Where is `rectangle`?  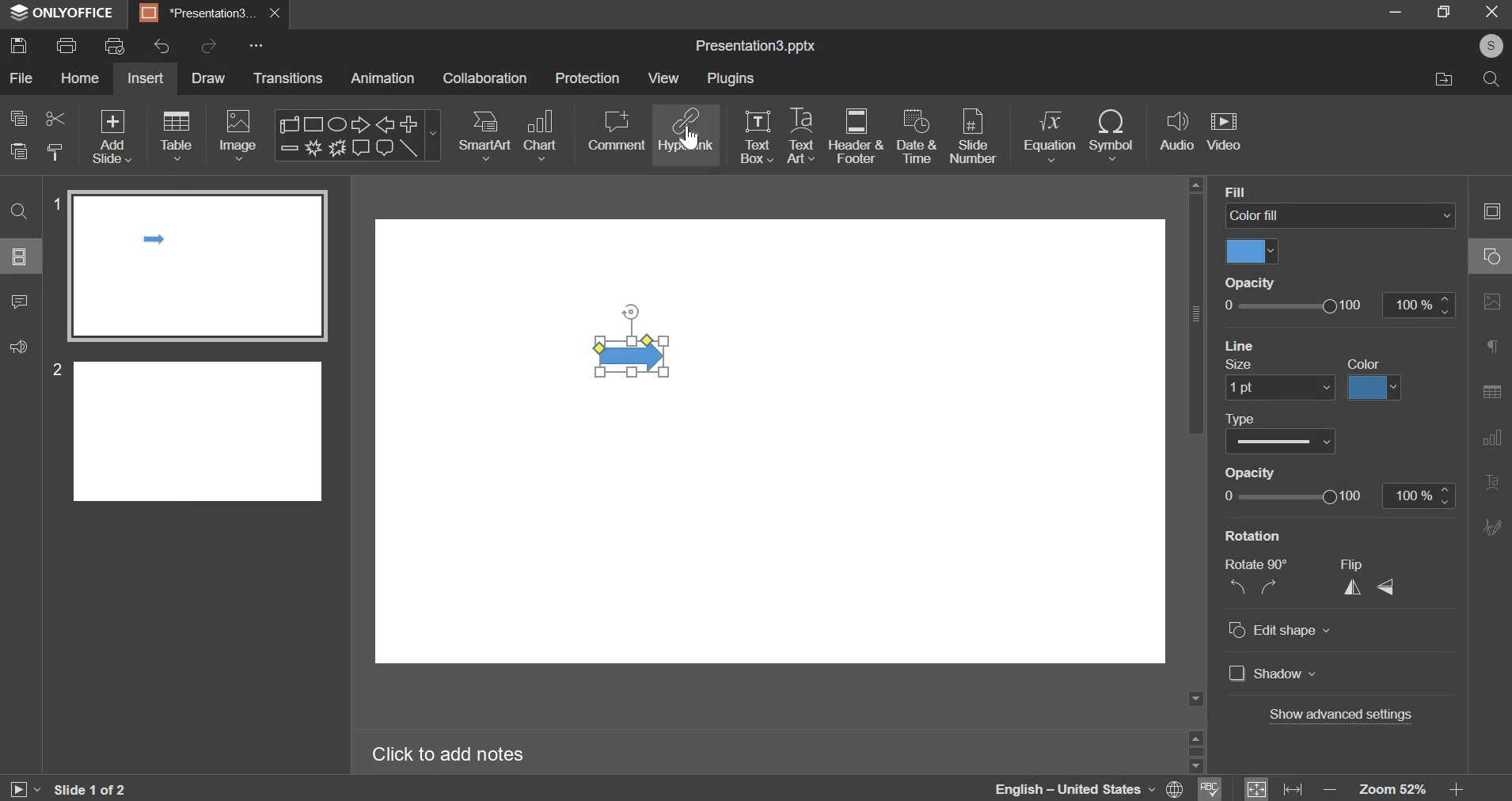 rectangle is located at coordinates (315, 123).